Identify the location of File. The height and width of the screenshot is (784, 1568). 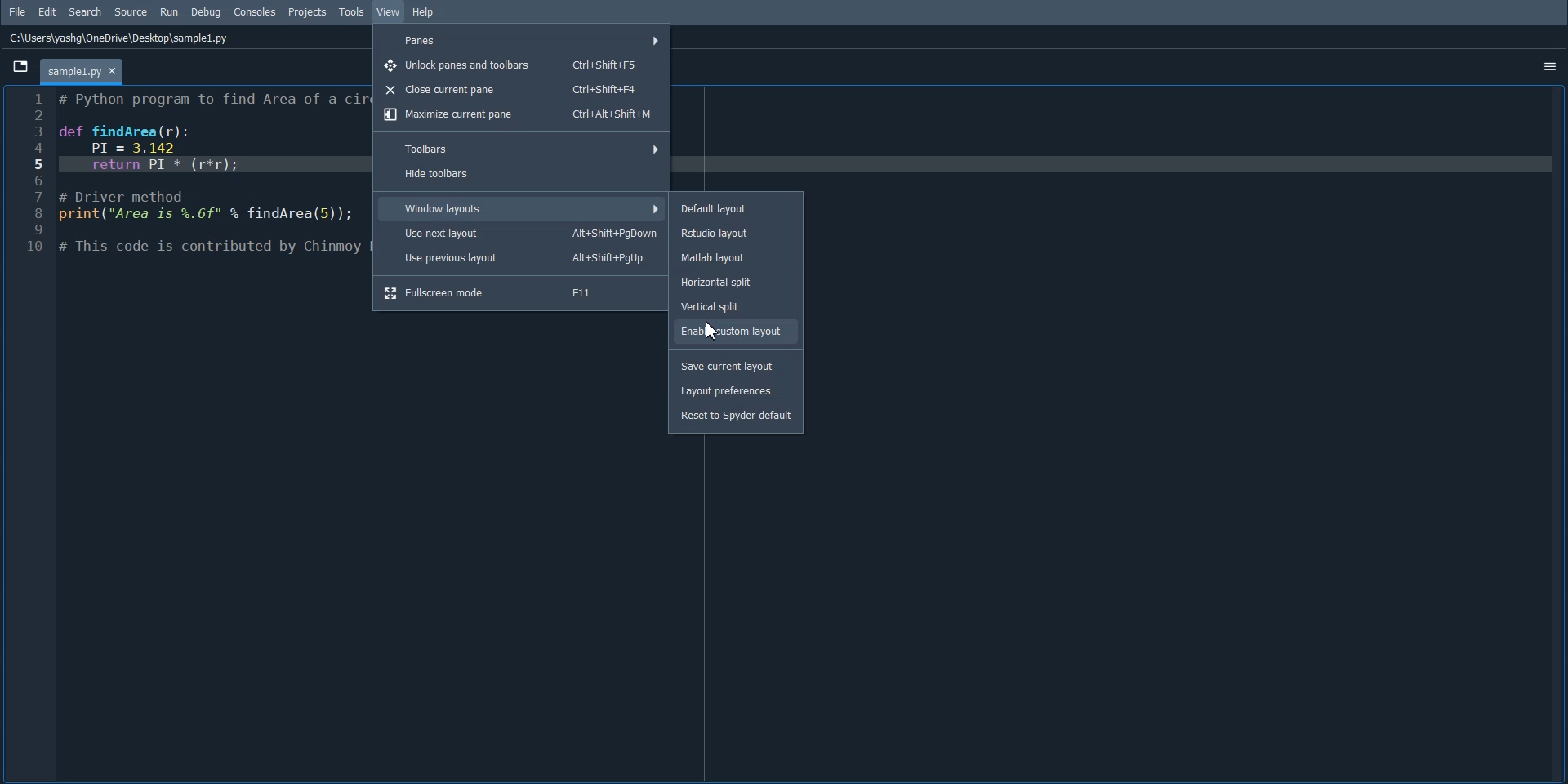
(17, 11).